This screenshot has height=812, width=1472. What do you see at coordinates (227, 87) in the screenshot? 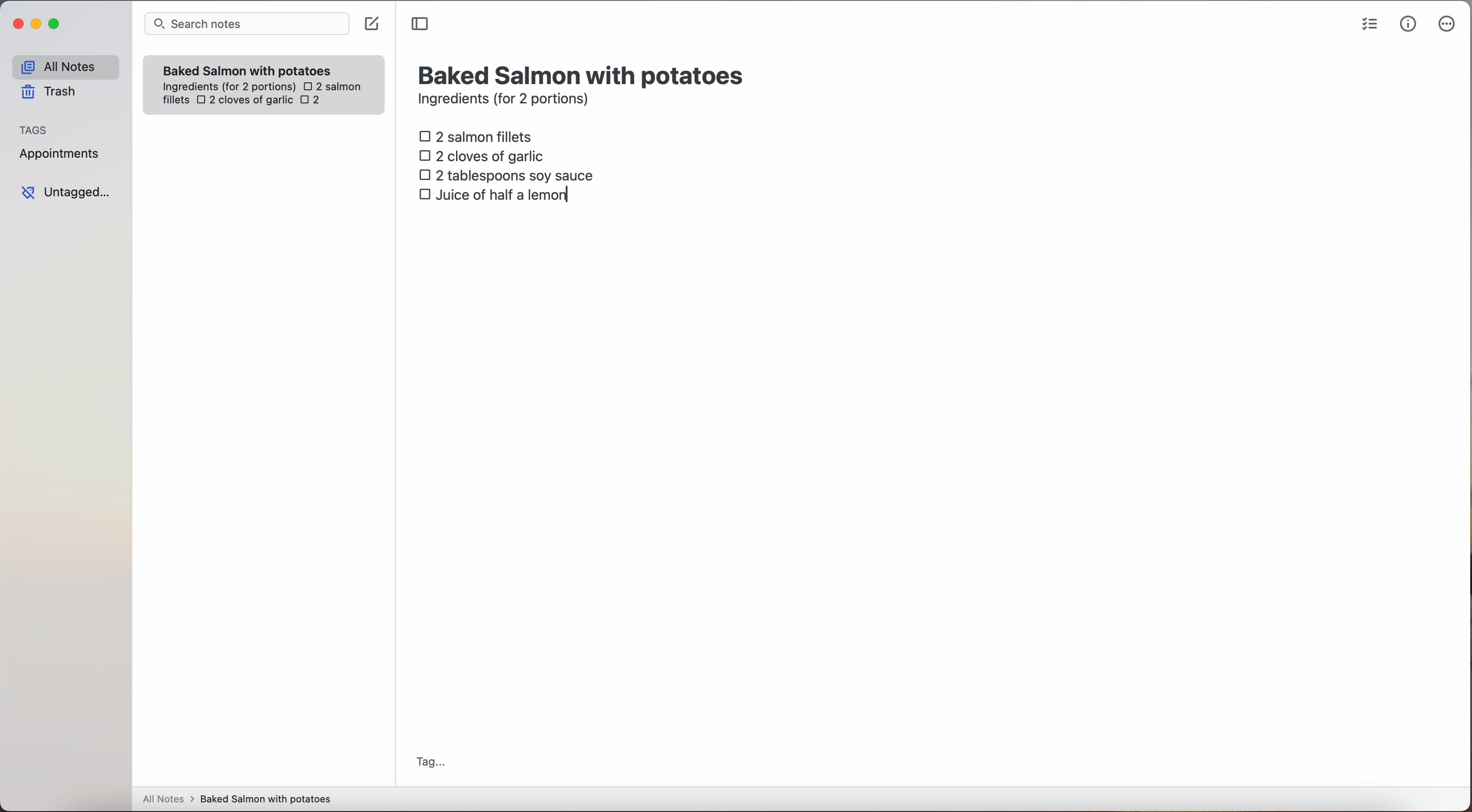
I see `ingredientes (for 2 portions)` at bounding box center [227, 87].